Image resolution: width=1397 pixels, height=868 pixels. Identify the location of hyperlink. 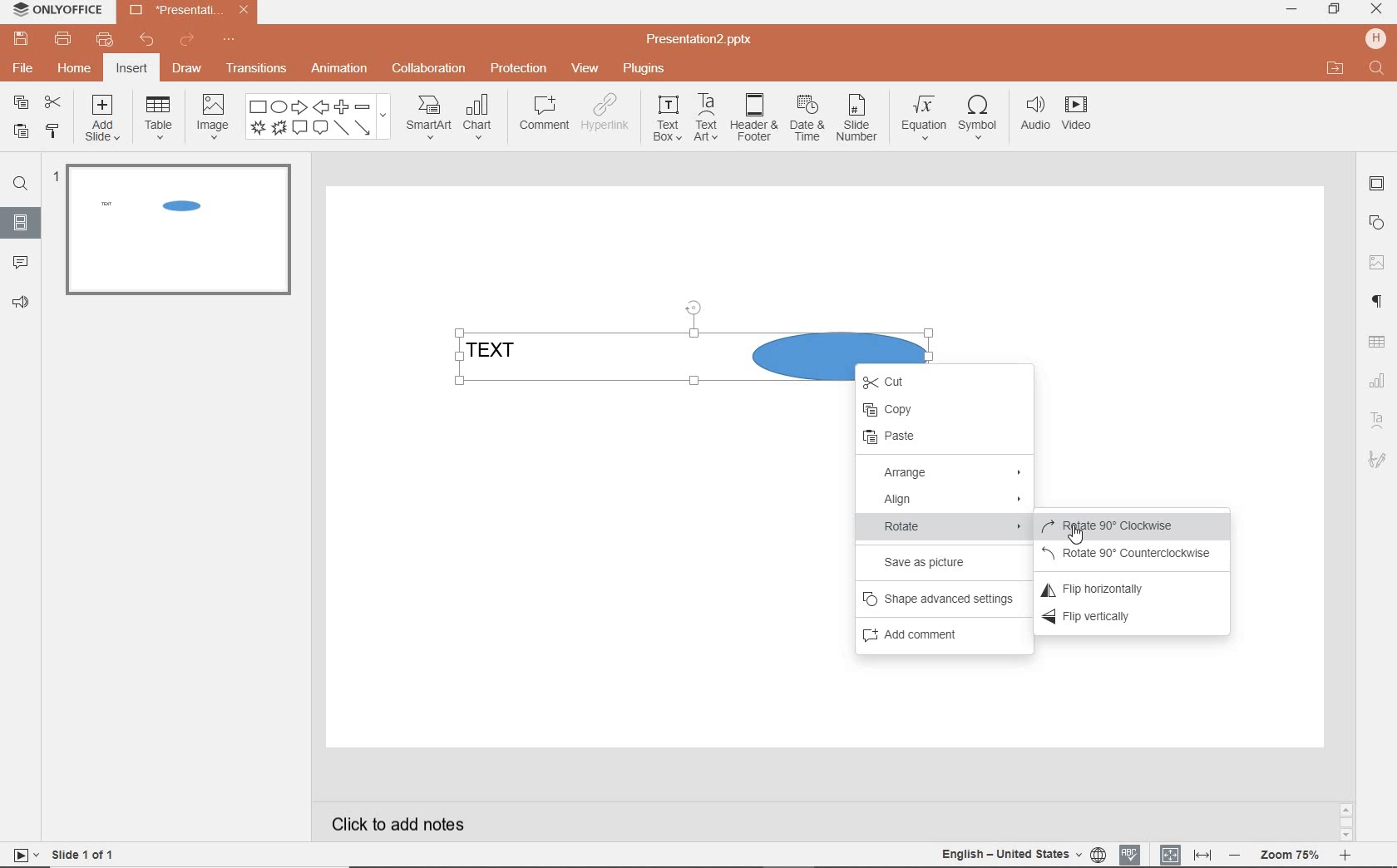
(606, 114).